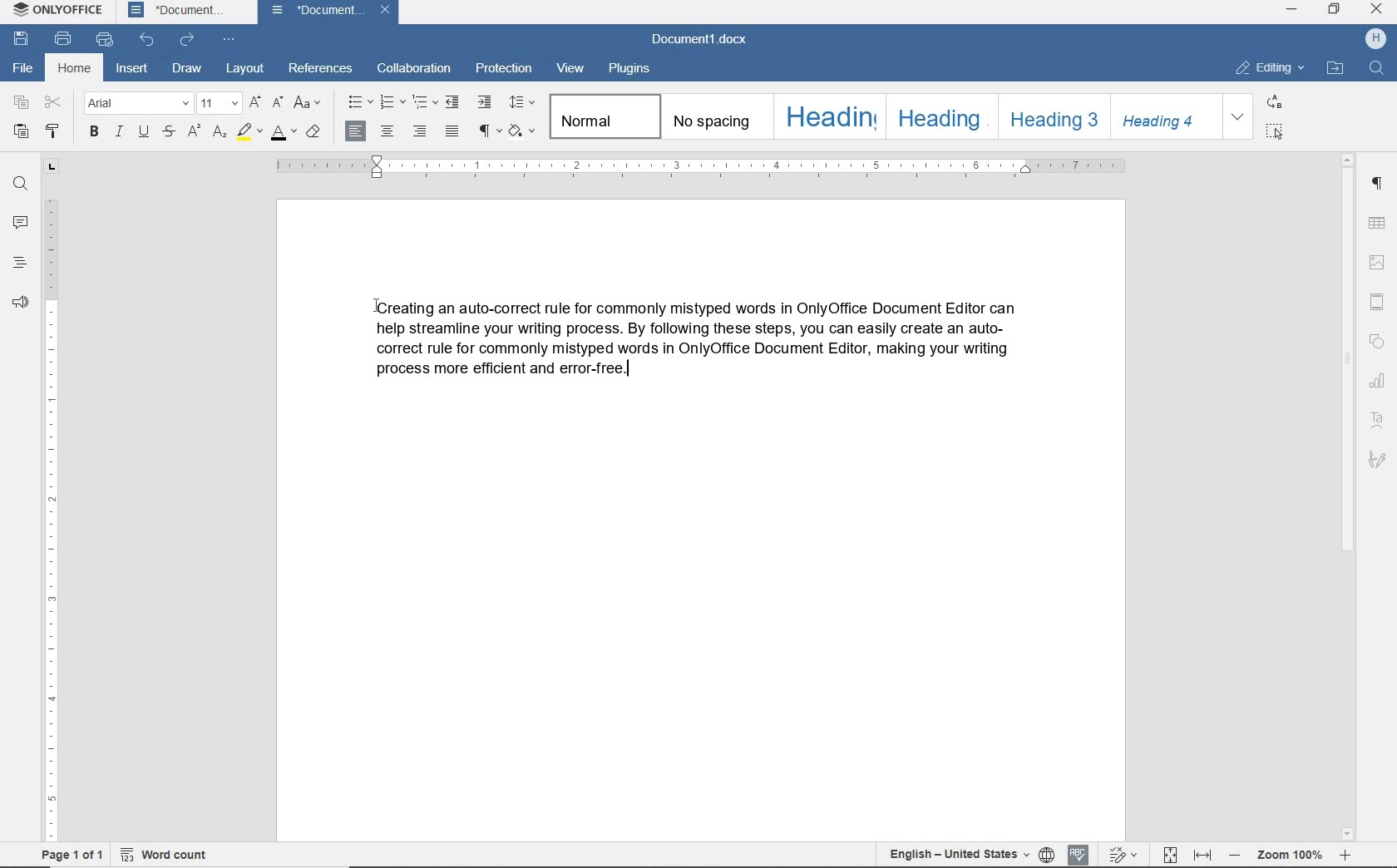 The height and width of the screenshot is (868, 1397). I want to click on shape, so click(1378, 340).